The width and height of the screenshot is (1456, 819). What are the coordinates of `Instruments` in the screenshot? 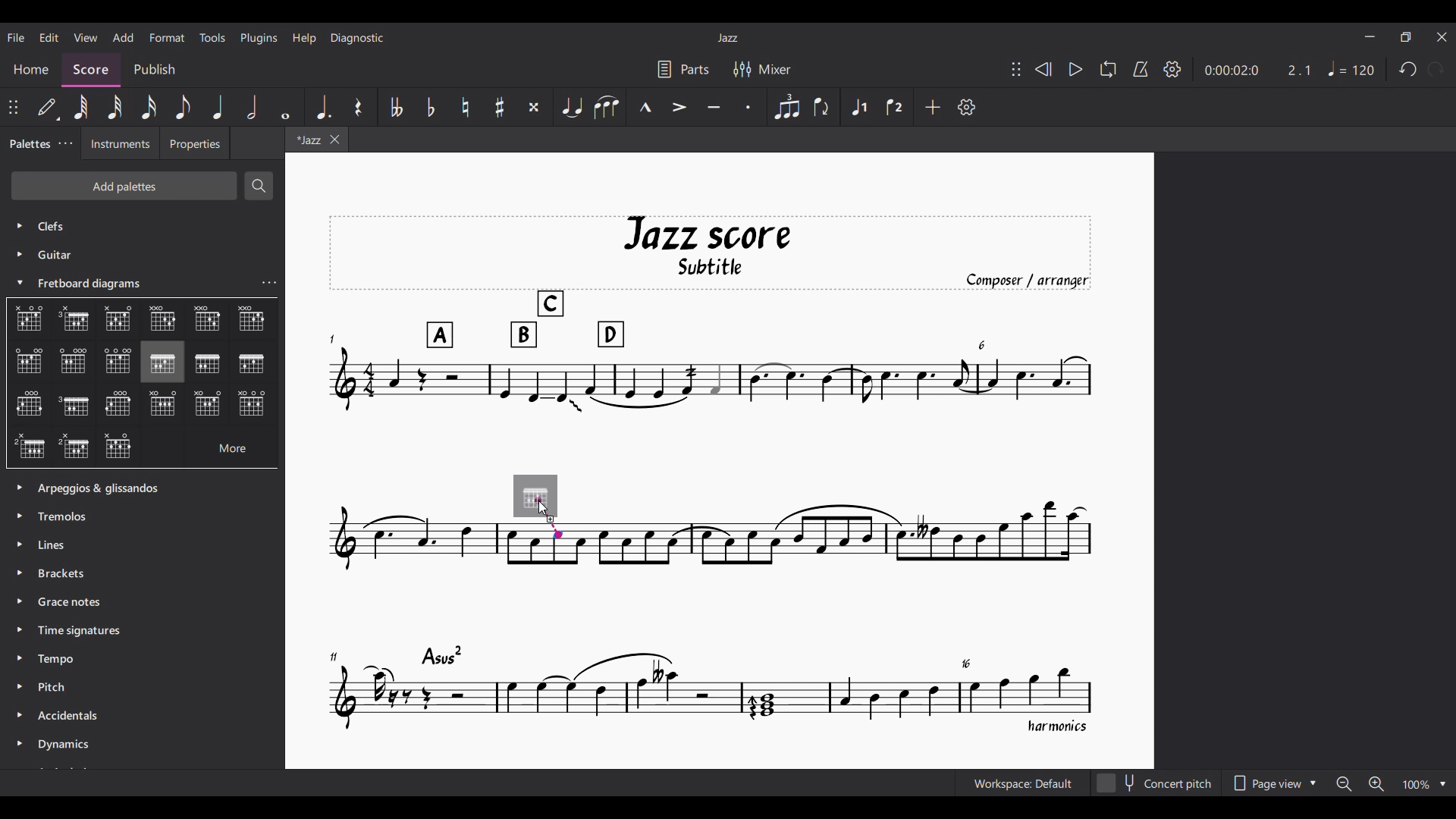 It's located at (117, 146).